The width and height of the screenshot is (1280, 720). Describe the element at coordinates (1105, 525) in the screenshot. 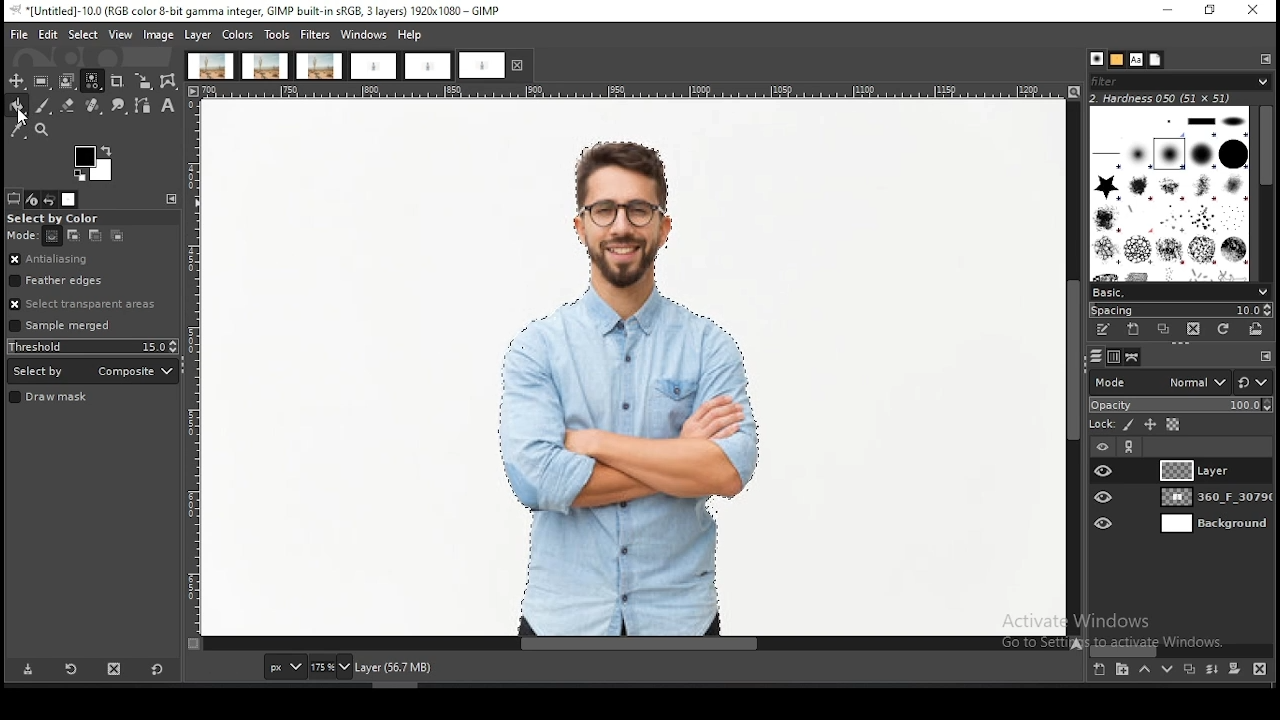

I see `layer visibility on/off` at that location.